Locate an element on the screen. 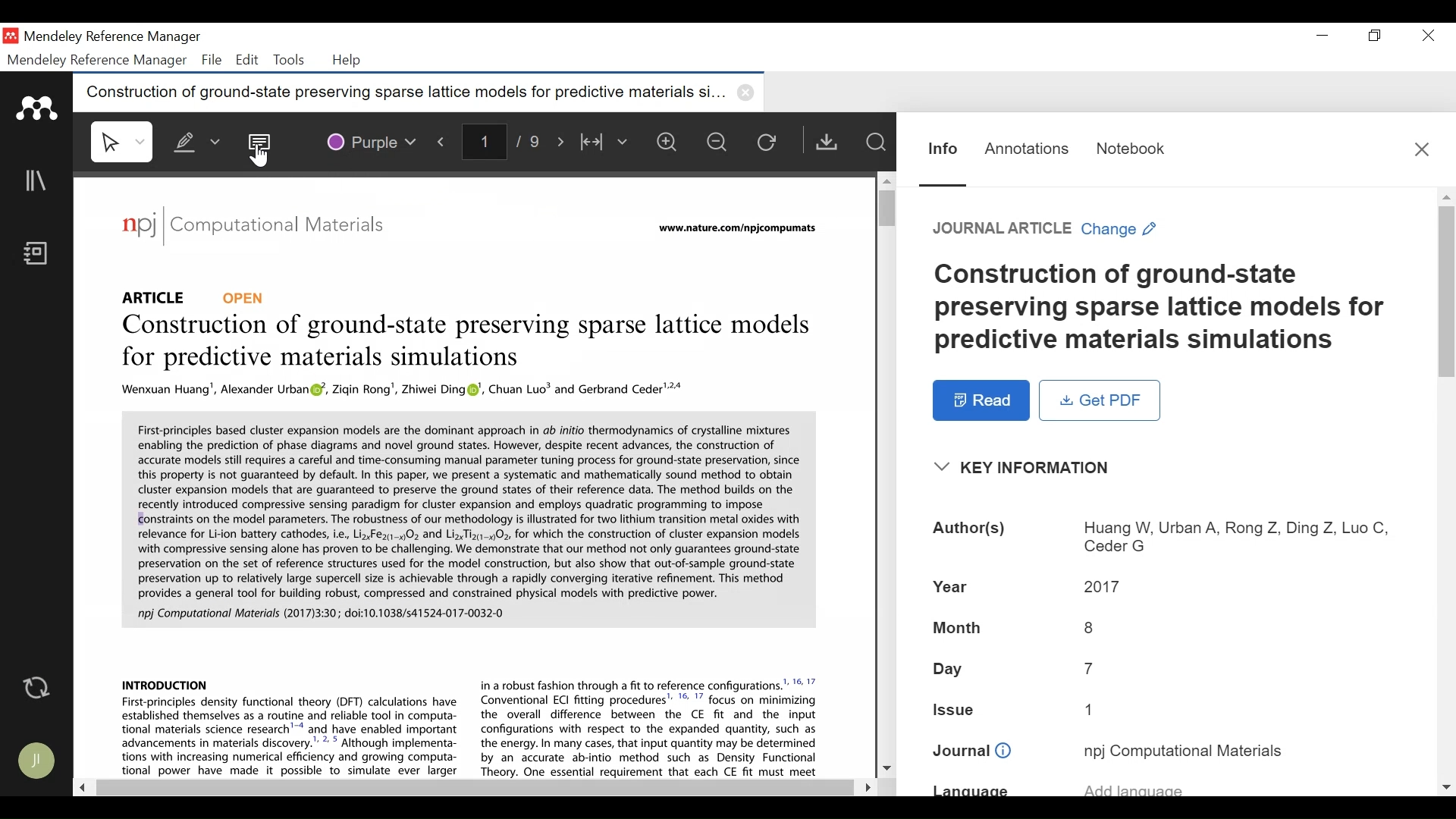  Current Tab is located at coordinates (419, 93).